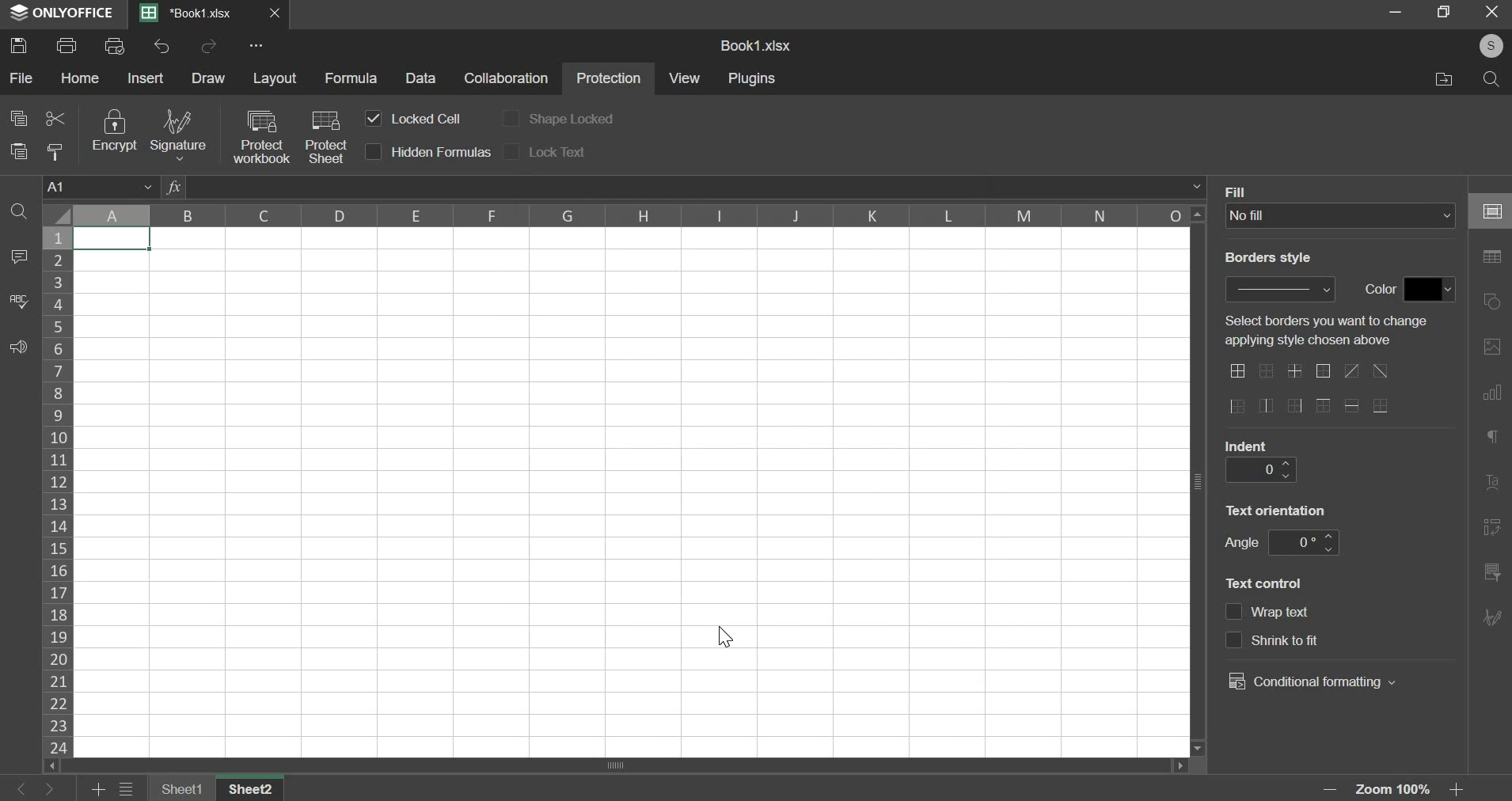 This screenshot has width=1512, height=801. What do you see at coordinates (1495, 436) in the screenshot?
I see `right side bar` at bounding box center [1495, 436].